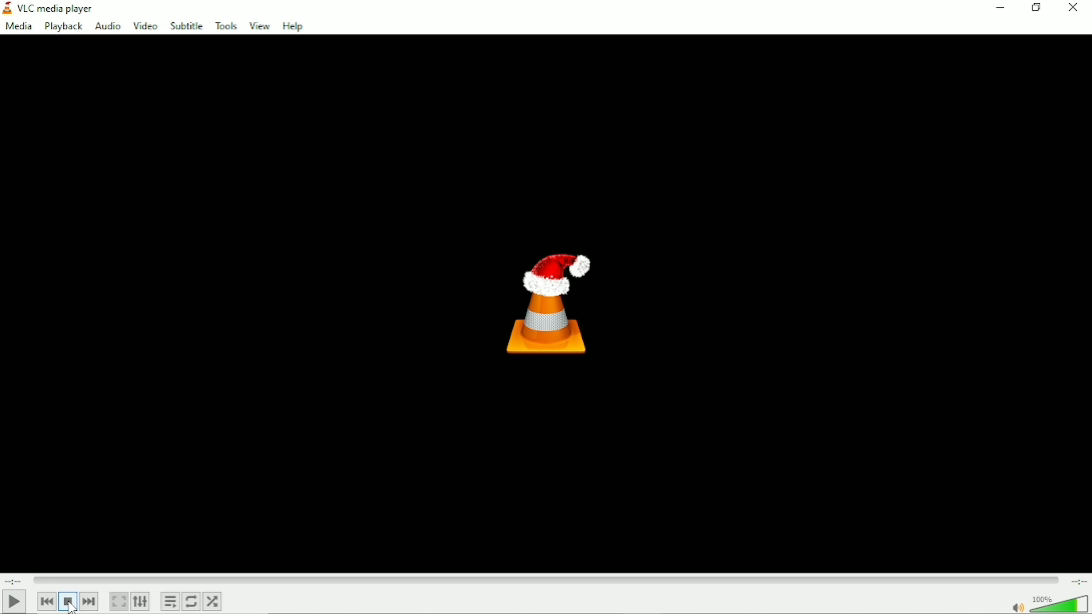 The image size is (1092, 614). Describe the element at coordinates (1046, 603) in the screenshot. I see `Audio` at that location.